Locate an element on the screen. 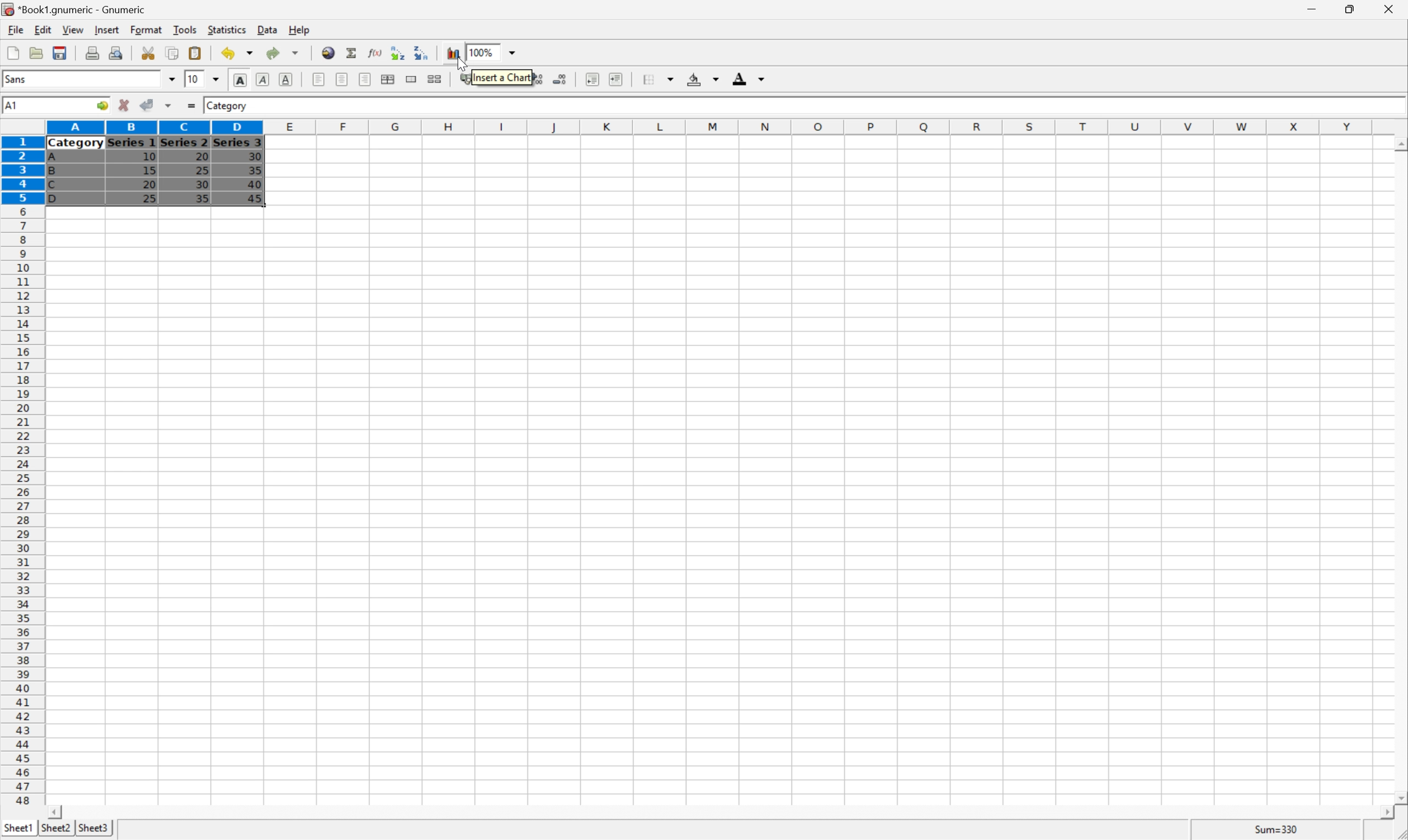 This screenshot has height=840, width=1408. Sort the selected region in descending order based on the first column selected is located at coordinates (420, 52).